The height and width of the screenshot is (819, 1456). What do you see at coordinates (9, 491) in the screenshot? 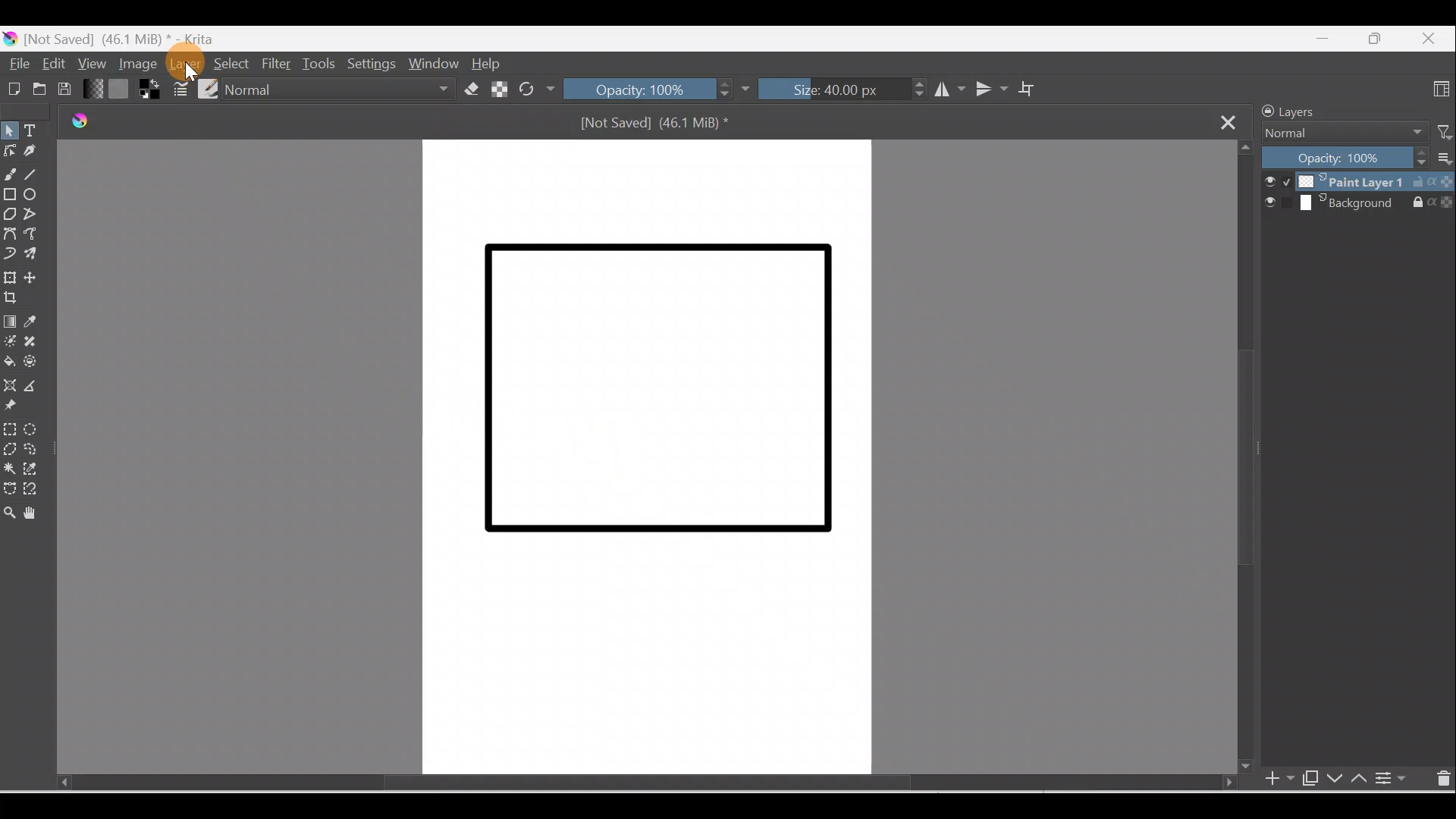
I see `Bezier curve selection tool` at bounding box center [9, 491].